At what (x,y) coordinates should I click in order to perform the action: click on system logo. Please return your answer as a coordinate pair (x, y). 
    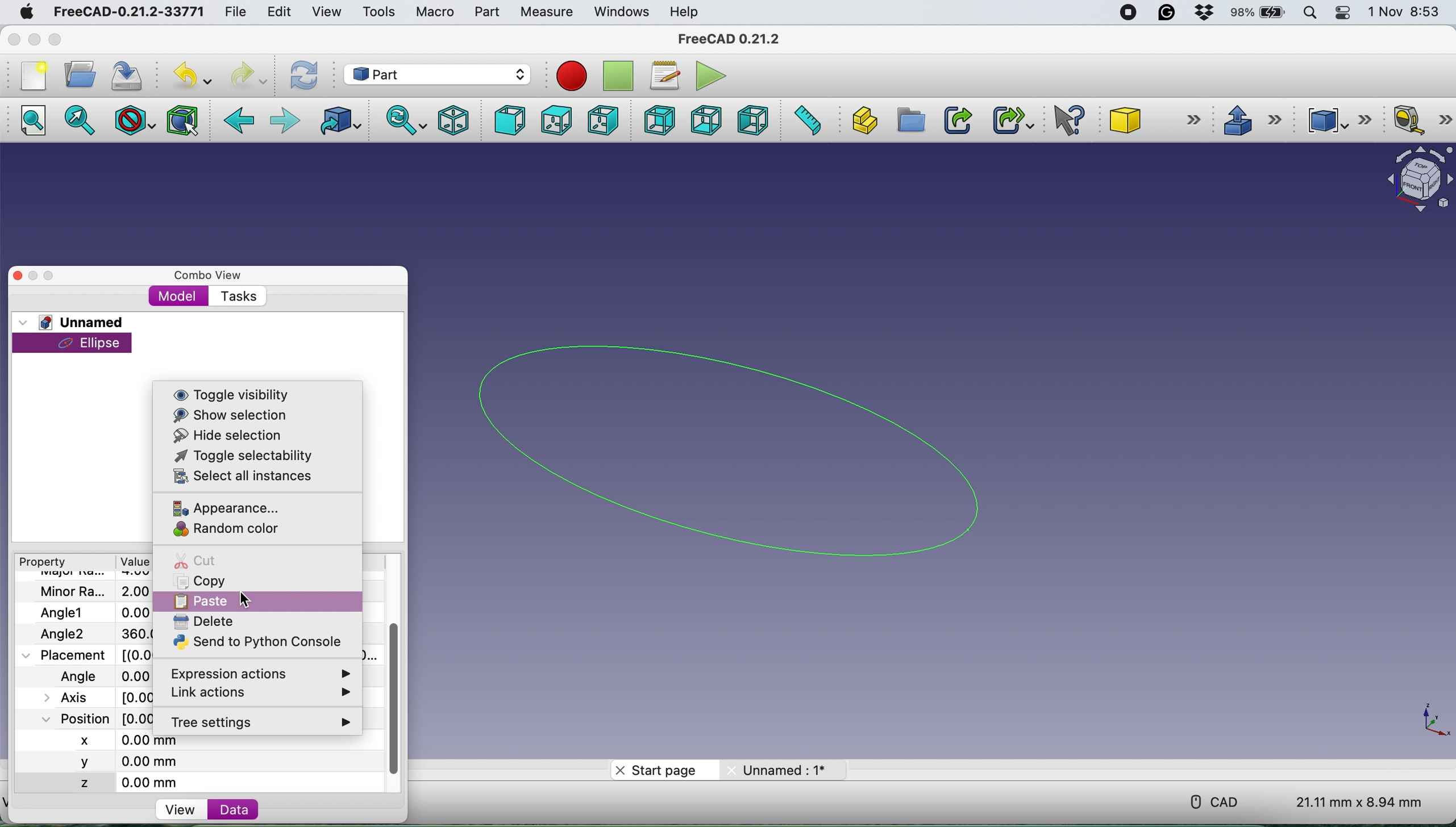
    Looking at the image, I should click on (28, 12).